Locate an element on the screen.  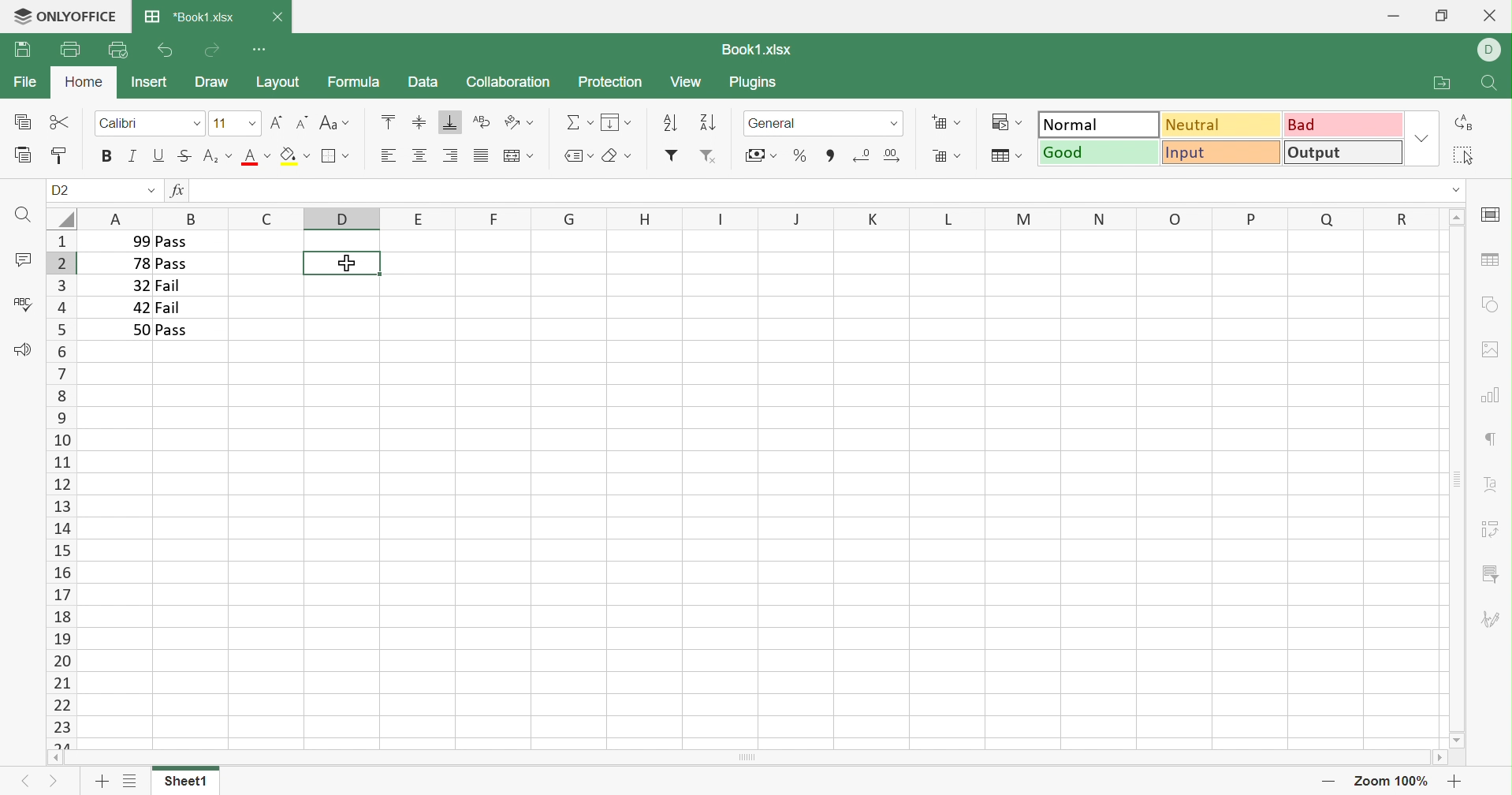
Align left is located at coordinates (386, 156).